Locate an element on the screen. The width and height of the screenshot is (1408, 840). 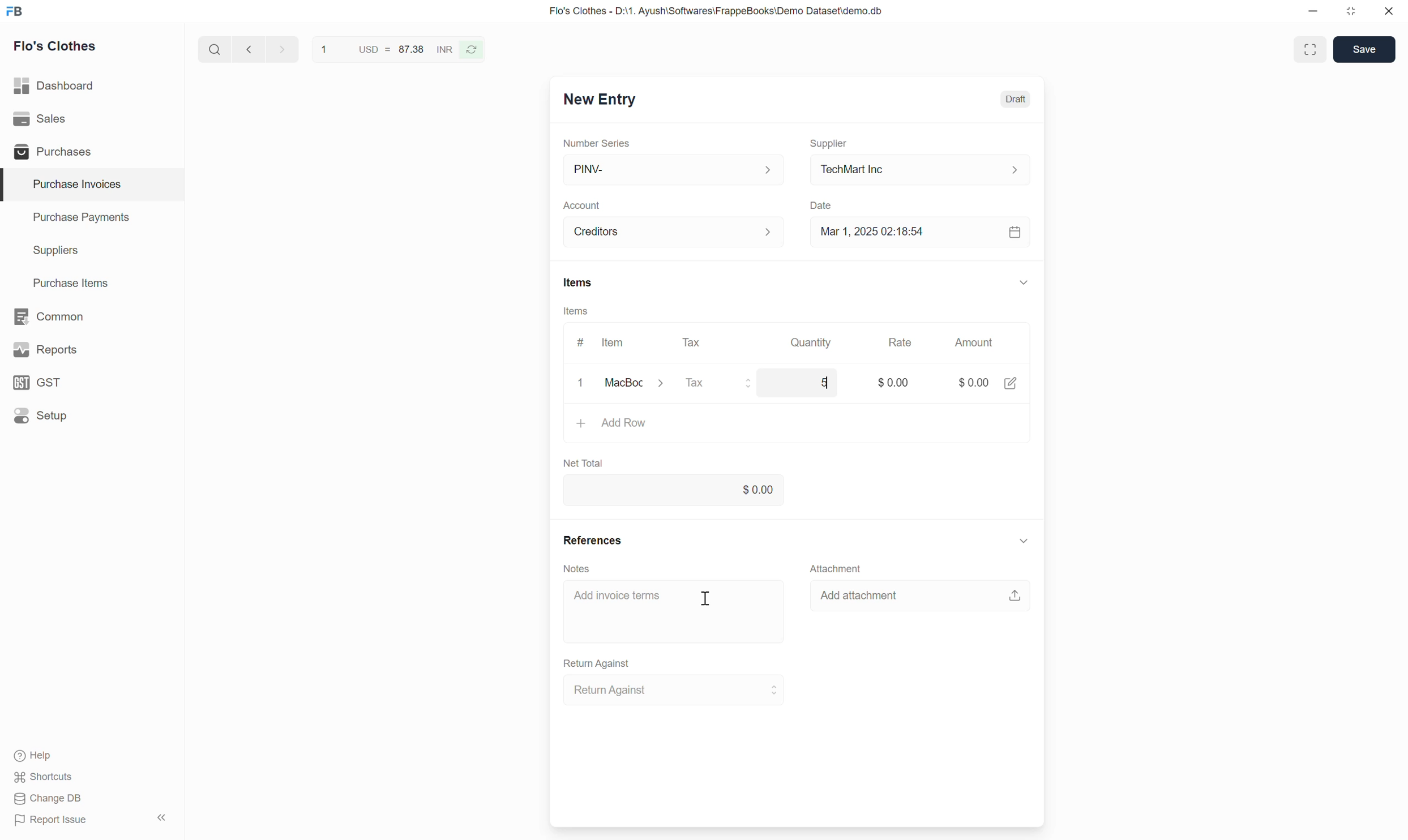
Add invoice terms is located at coordinates (675, 611).